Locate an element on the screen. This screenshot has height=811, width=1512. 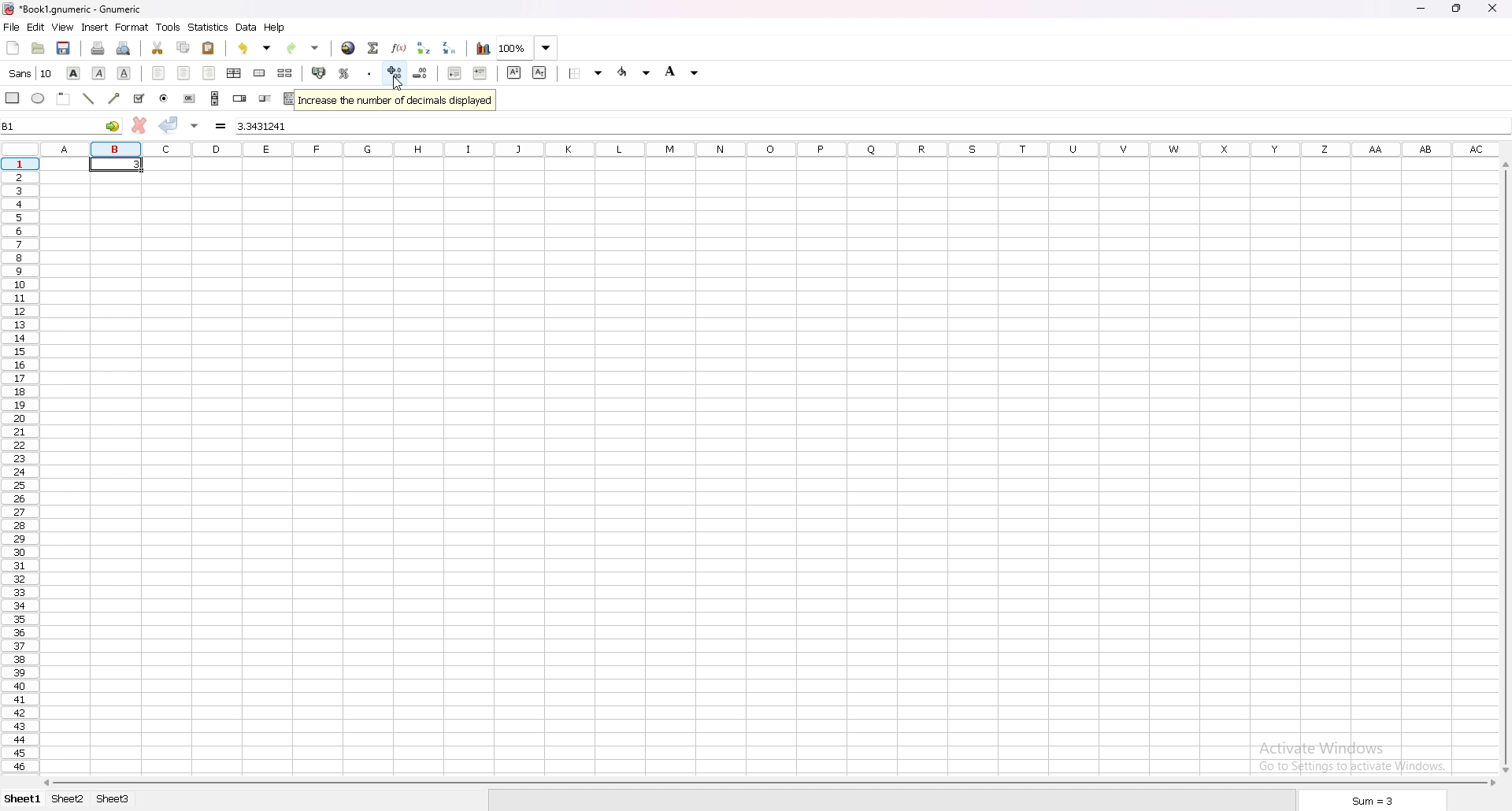
spin button is located at coordinates (240, 98).